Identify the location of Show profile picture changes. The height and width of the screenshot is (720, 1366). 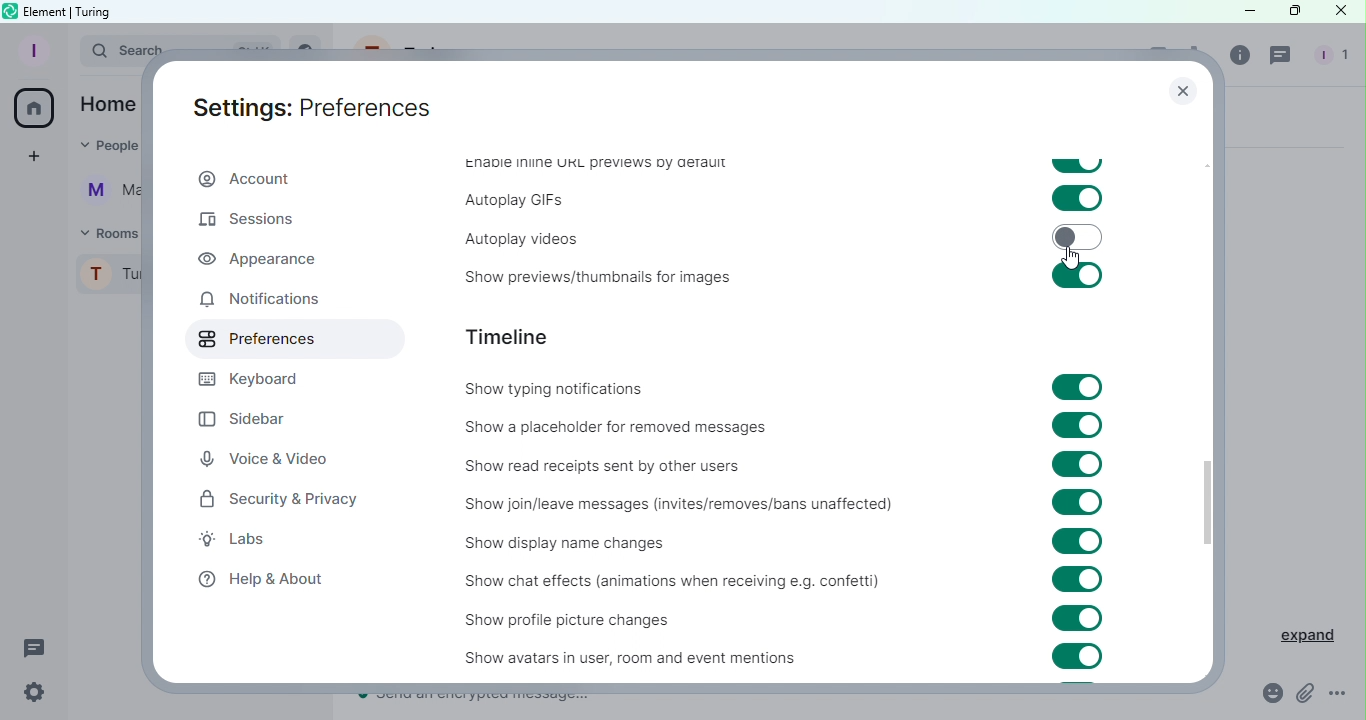
(586, 619).